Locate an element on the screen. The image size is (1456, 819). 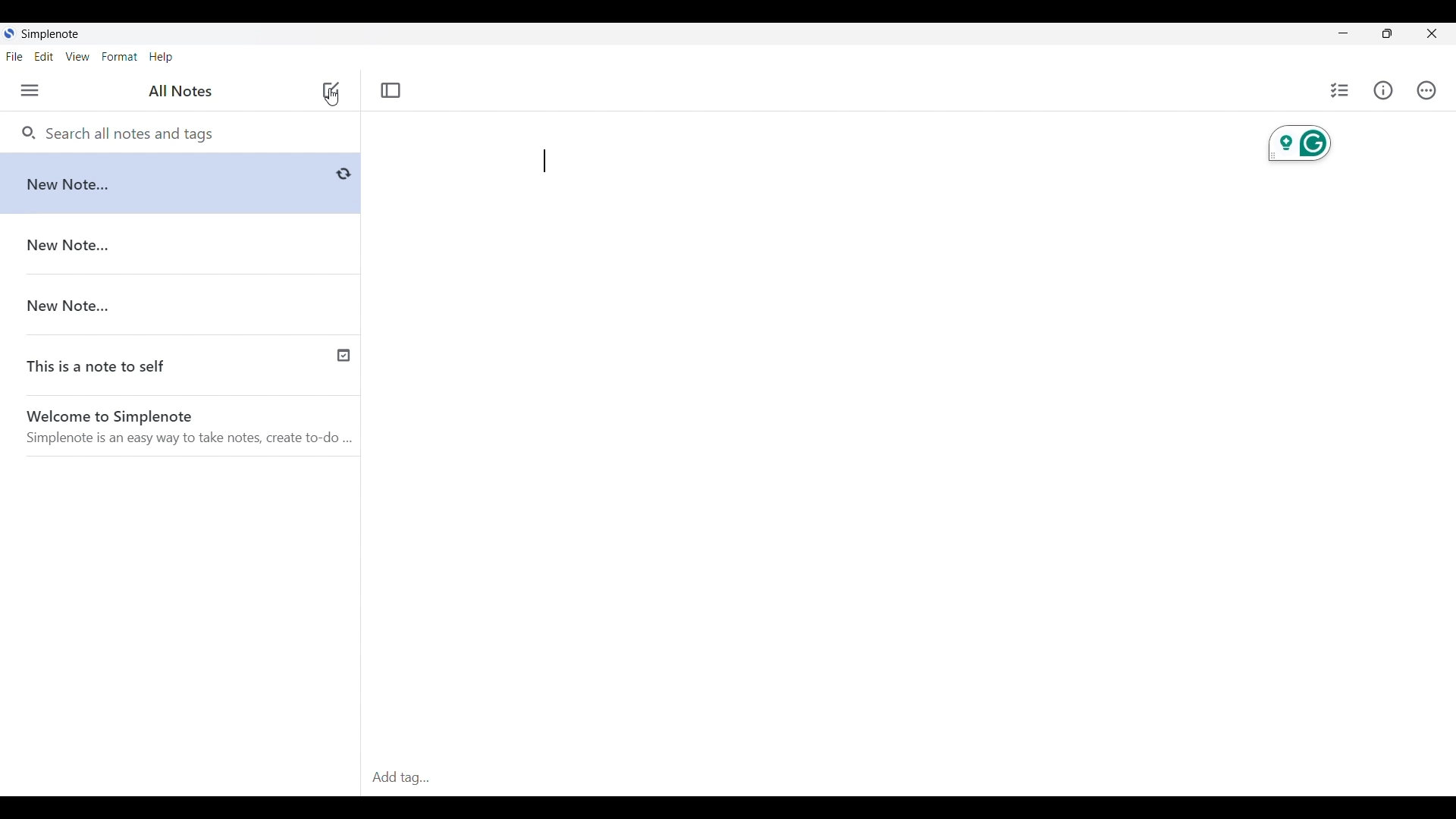
View is located at coordinates (78, 56).